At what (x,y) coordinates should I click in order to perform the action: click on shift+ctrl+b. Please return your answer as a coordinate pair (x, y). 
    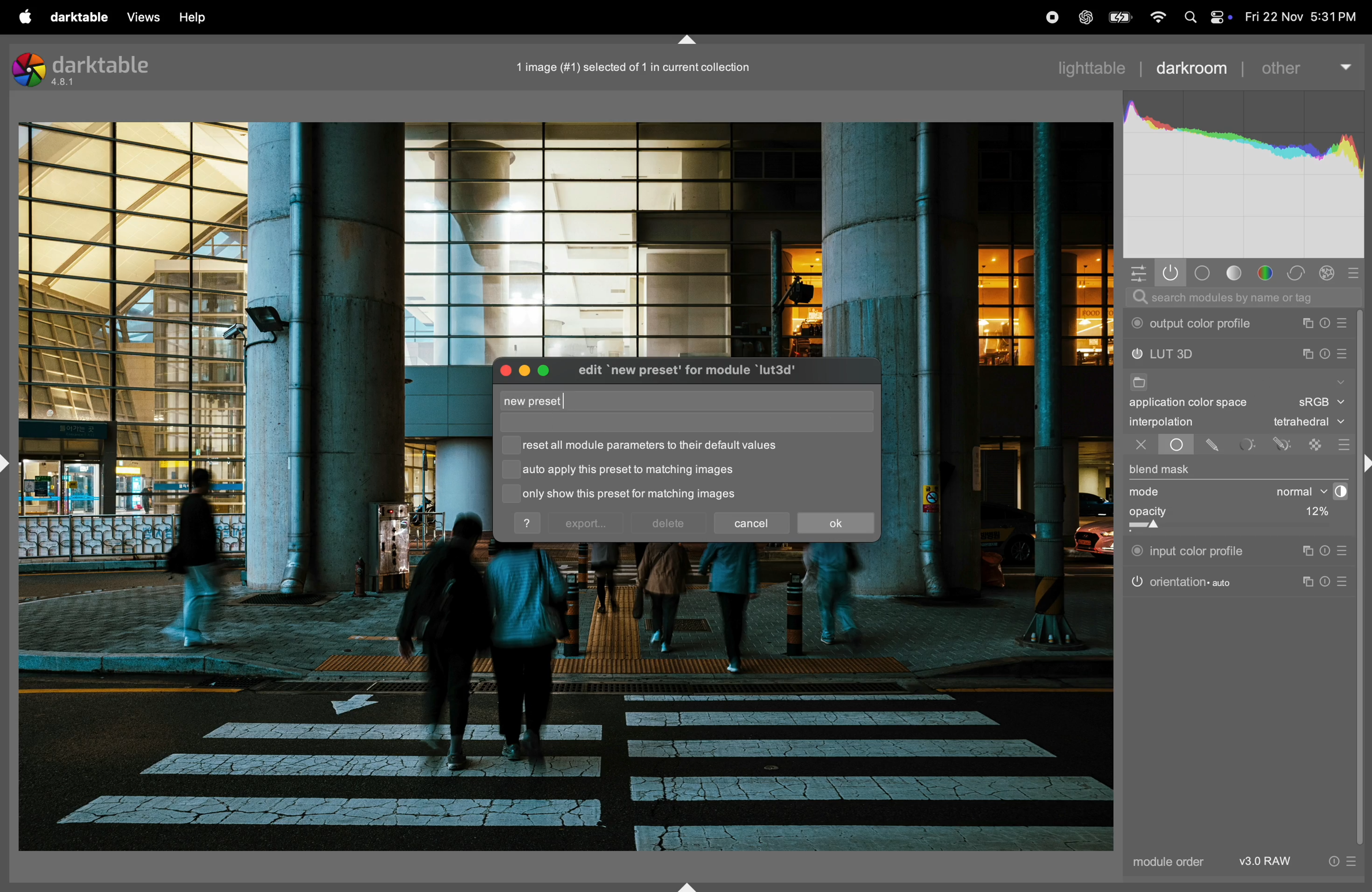
    Looking at the image, I should click on (688, 886).